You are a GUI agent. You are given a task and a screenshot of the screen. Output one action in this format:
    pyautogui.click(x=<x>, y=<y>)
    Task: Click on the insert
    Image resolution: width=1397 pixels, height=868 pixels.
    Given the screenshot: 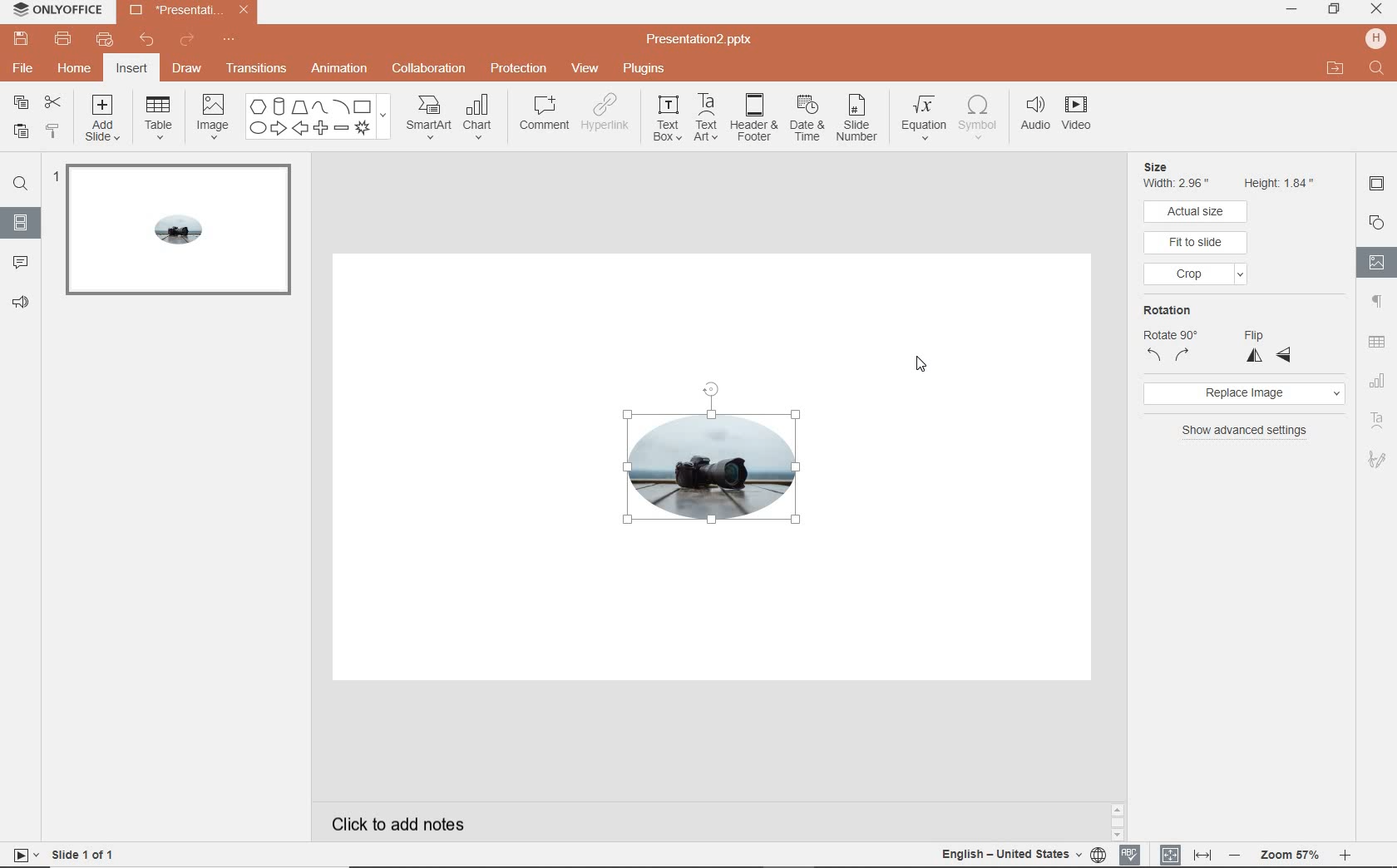 What is the action you would take?
    pyautogui.click(x=133, y=68)
    